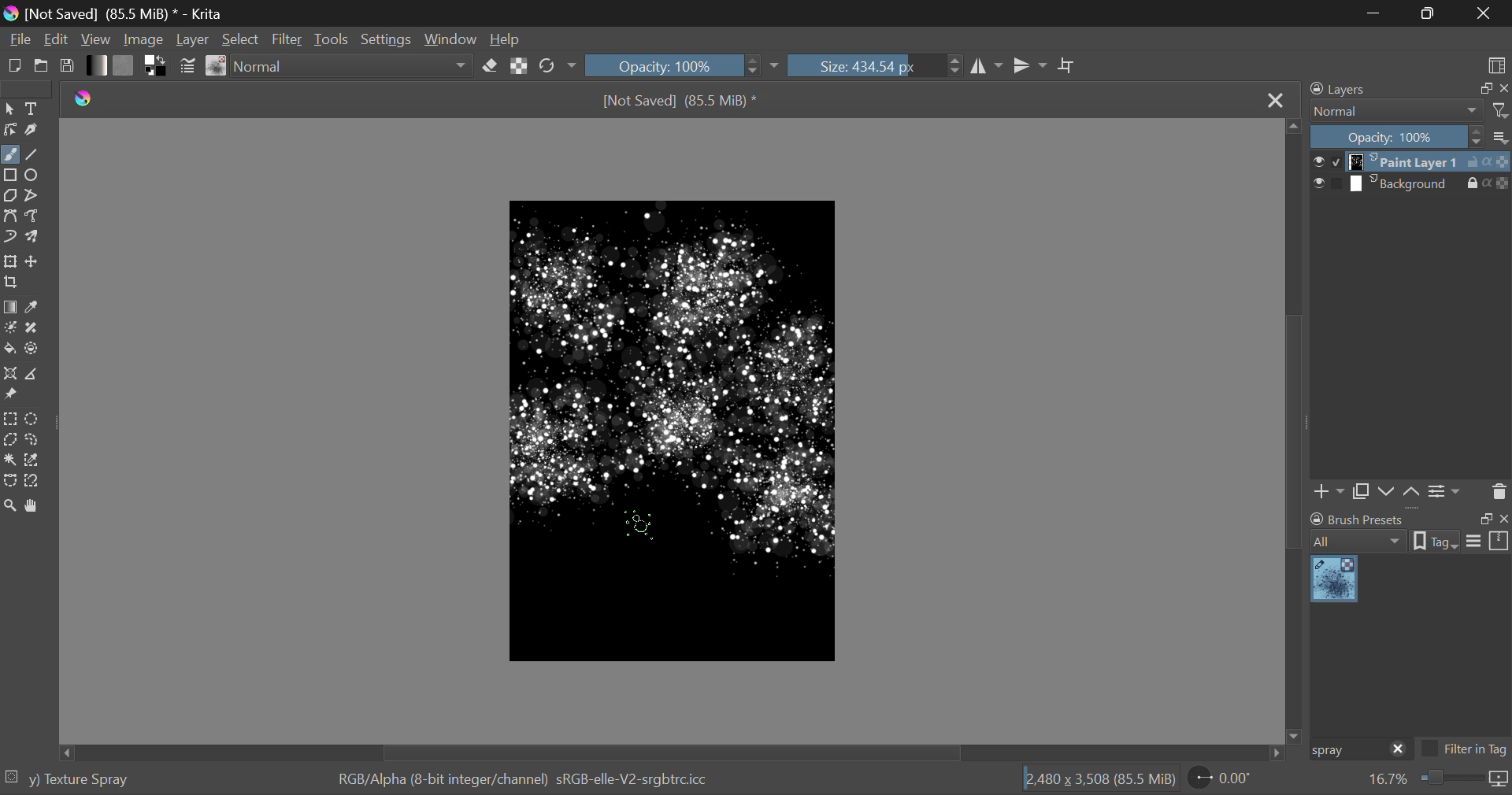 The height and width of the screenshot is (795, 1512). What do you see at coordinates (13, 283) in the screenshot?
I see `Crop Layer` at bounding box center [13, 283].